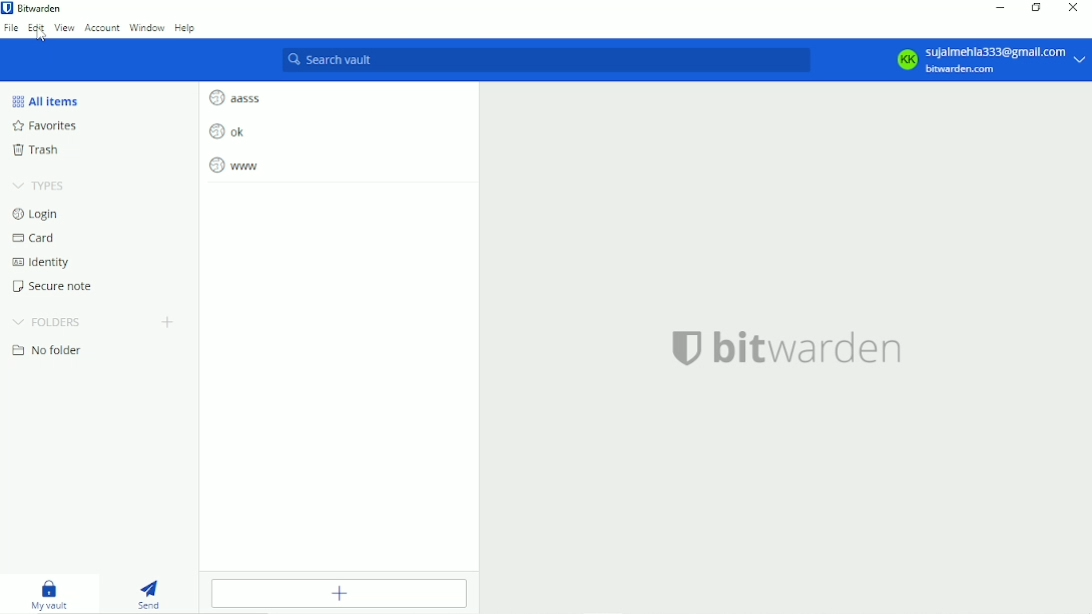  Describe the element at coordinates (152, 592) in the screenshot. I see `Send` at that location.